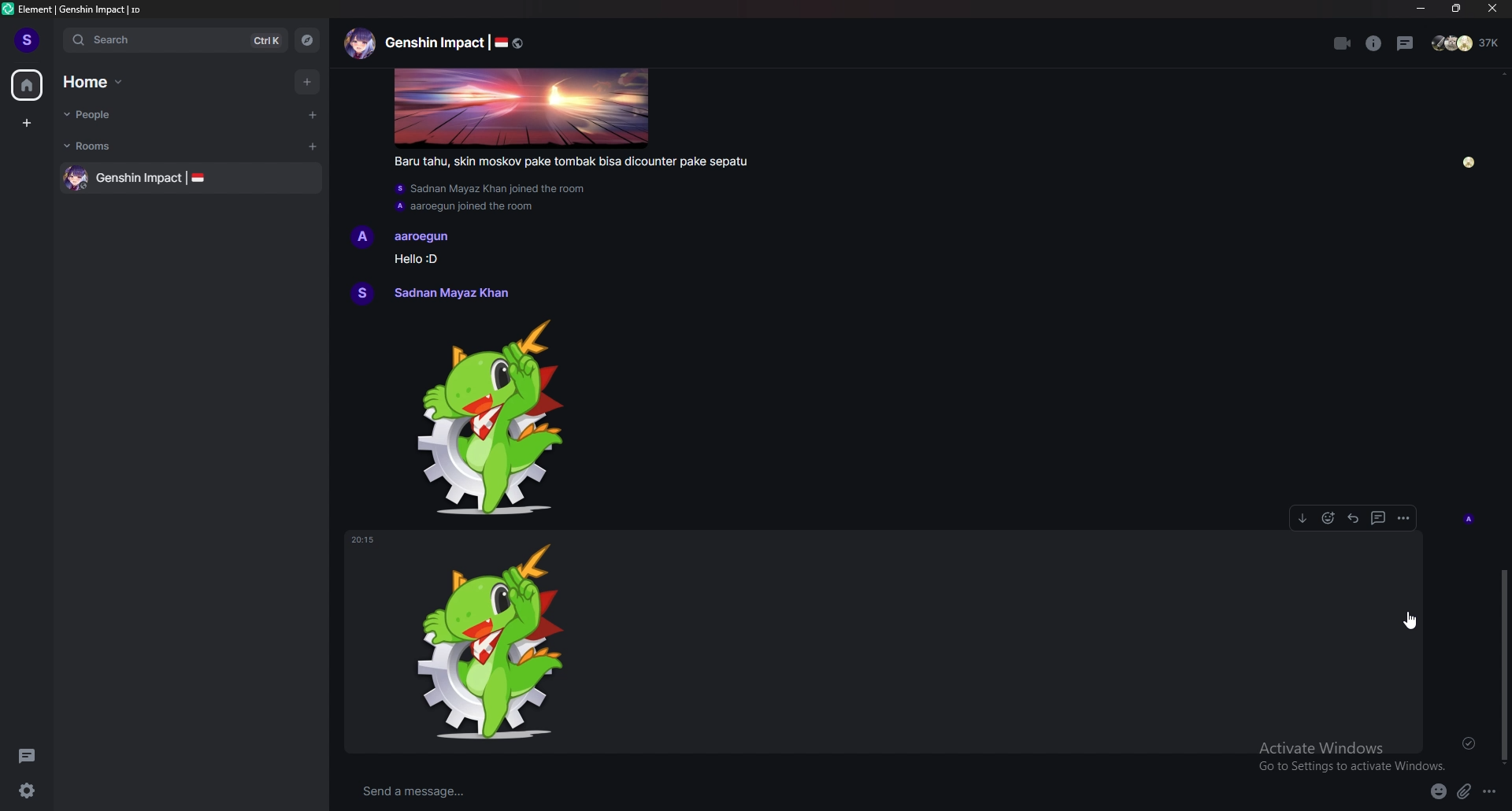 This screenshot has height=811, width=1512. I want to click on Sadnan Mayaz Khan, so click(450, 293).